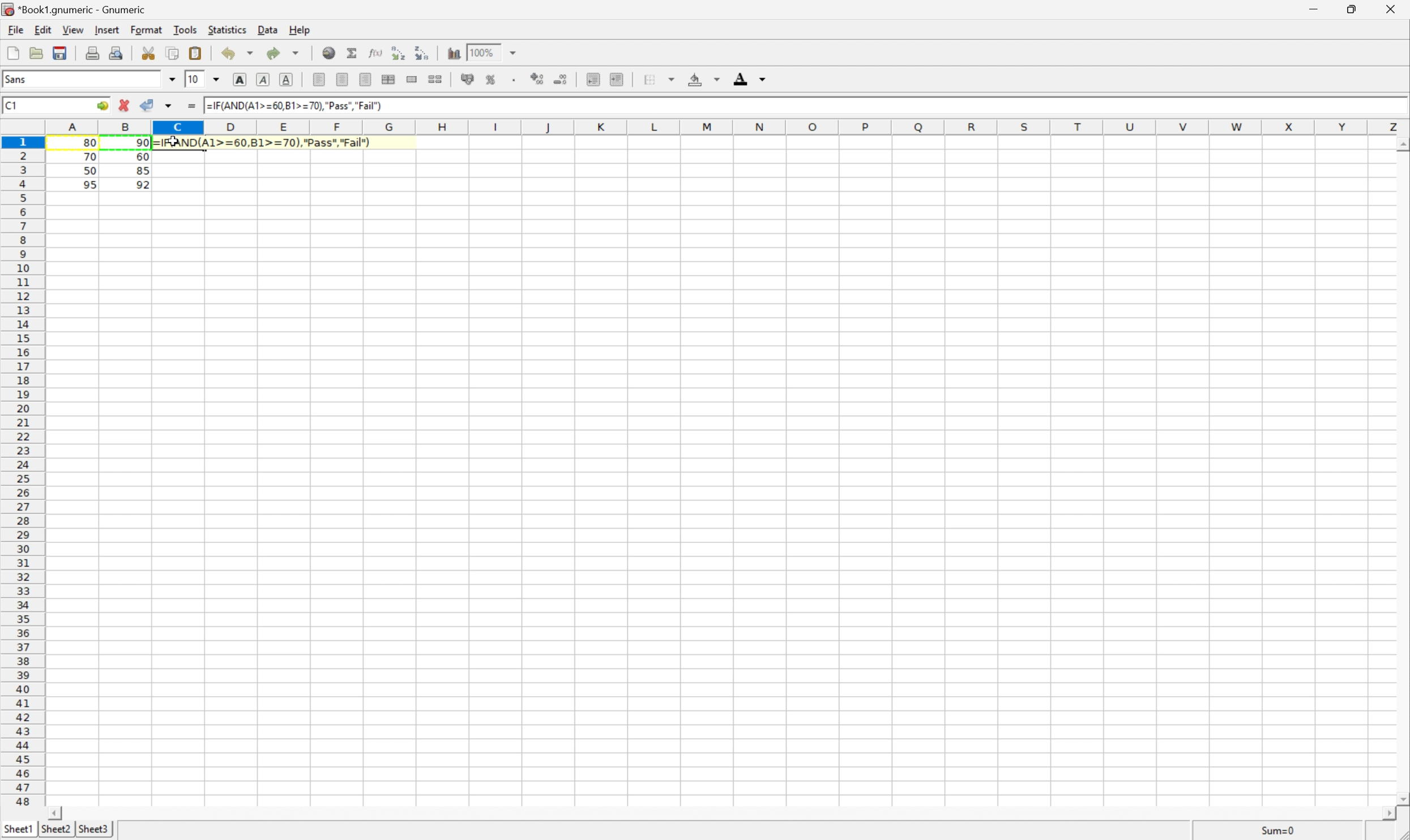  Describe the element at coordinates (376, 54) in the screenshot. I see `Edit a function in the current cell` at that location.